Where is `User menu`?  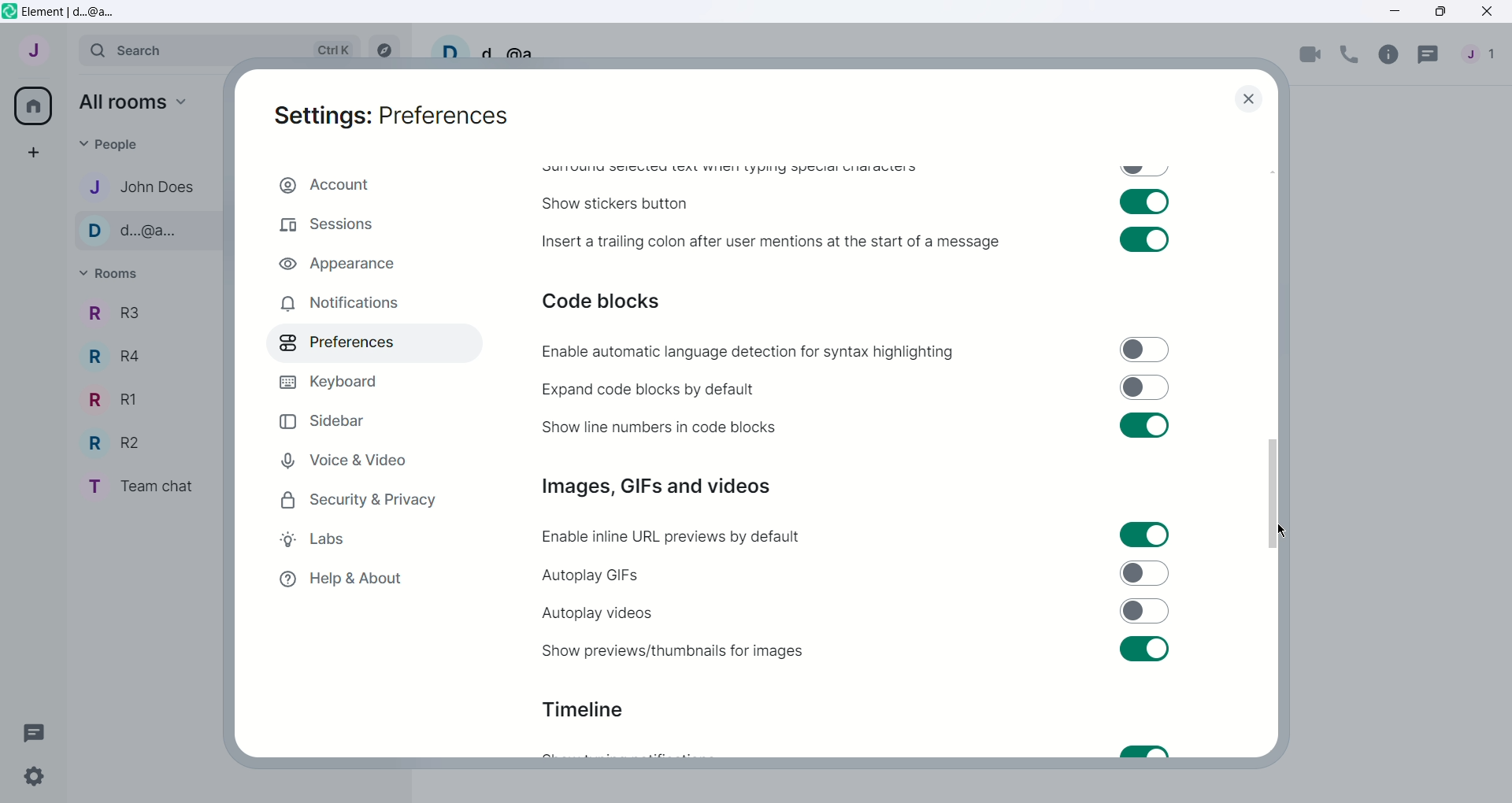
User menu is located at coordinates (35, 48).